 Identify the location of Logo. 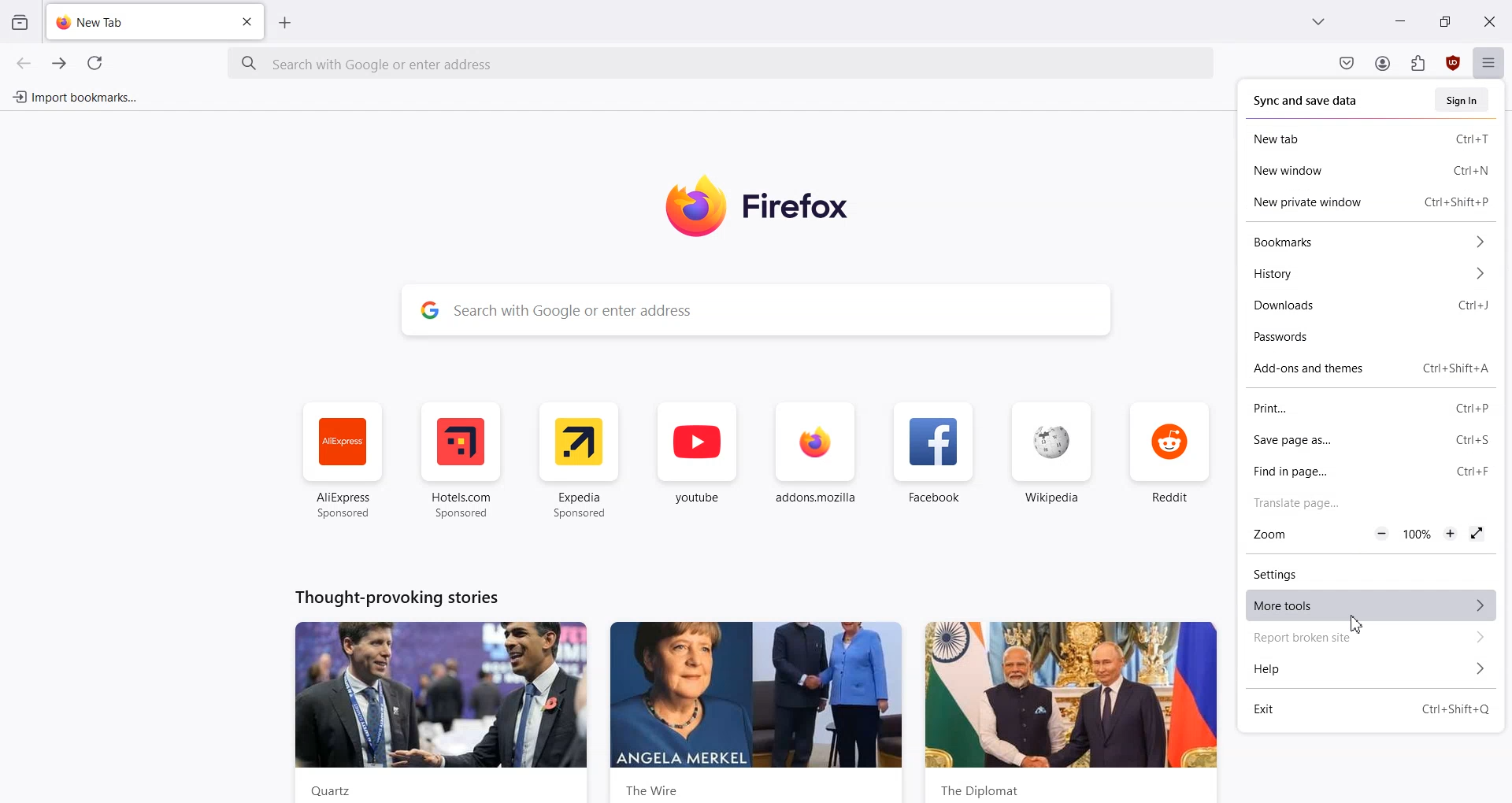
(780, 206).